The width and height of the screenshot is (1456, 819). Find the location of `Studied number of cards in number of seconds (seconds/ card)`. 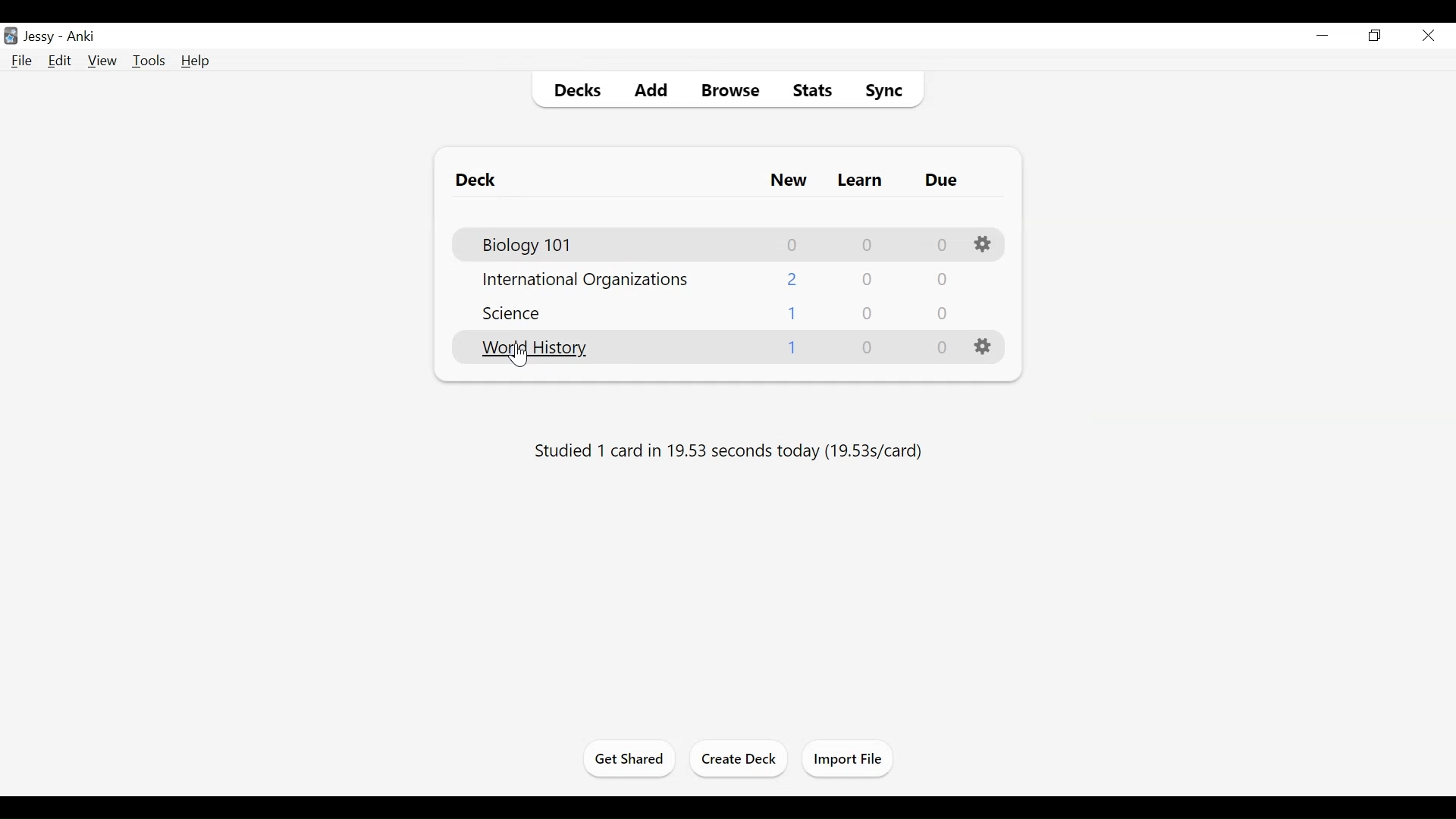

Studied number of cards in number of seconds (seconds/ card) is located at coordinates (733, 452).